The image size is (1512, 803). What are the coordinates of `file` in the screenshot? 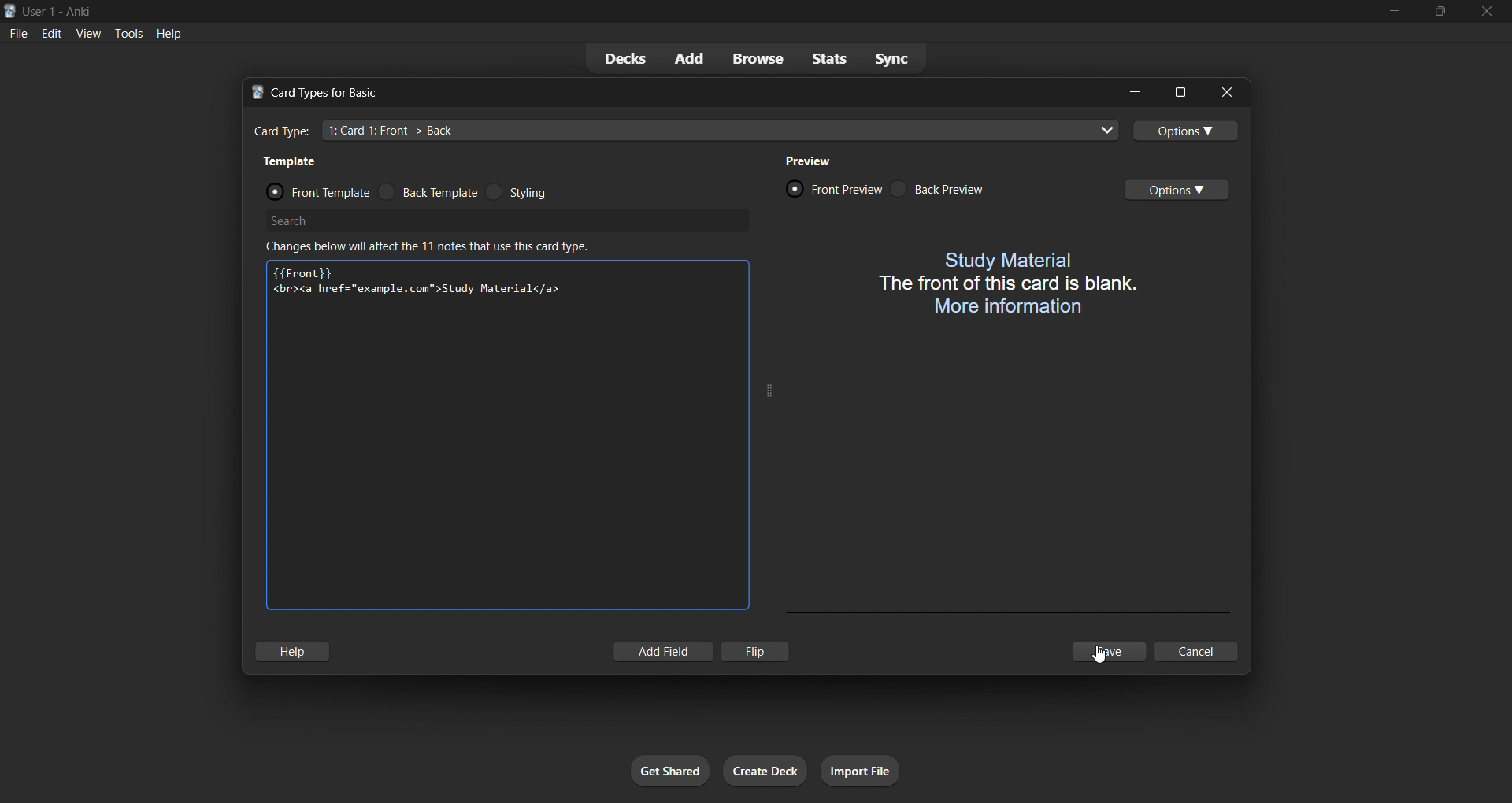 It's located at (20, 33).